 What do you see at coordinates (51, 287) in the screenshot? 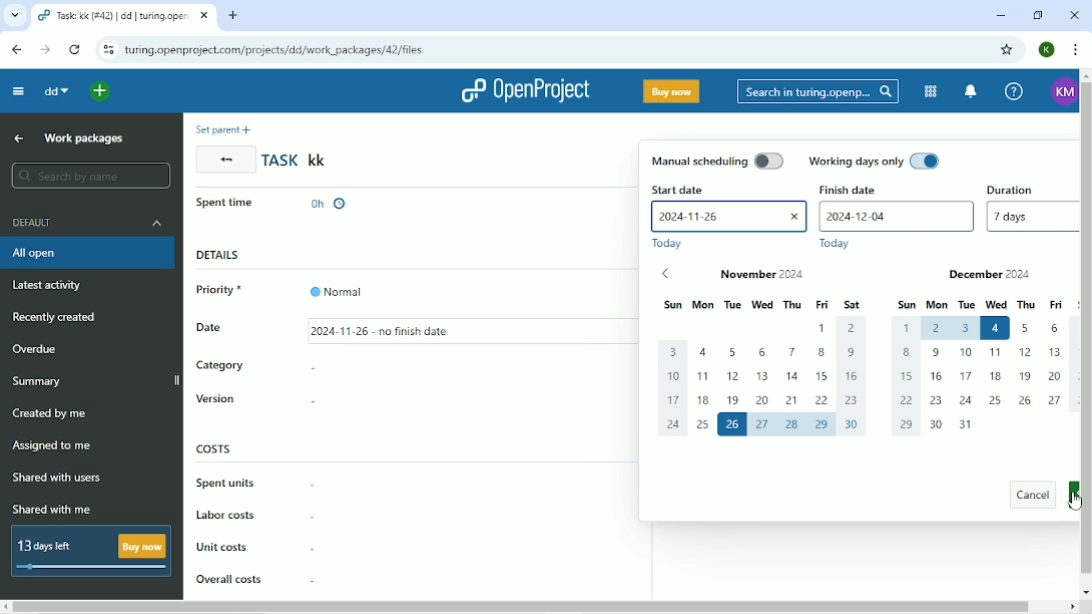
I see `Latest activity` at bounding box center [51, 287].